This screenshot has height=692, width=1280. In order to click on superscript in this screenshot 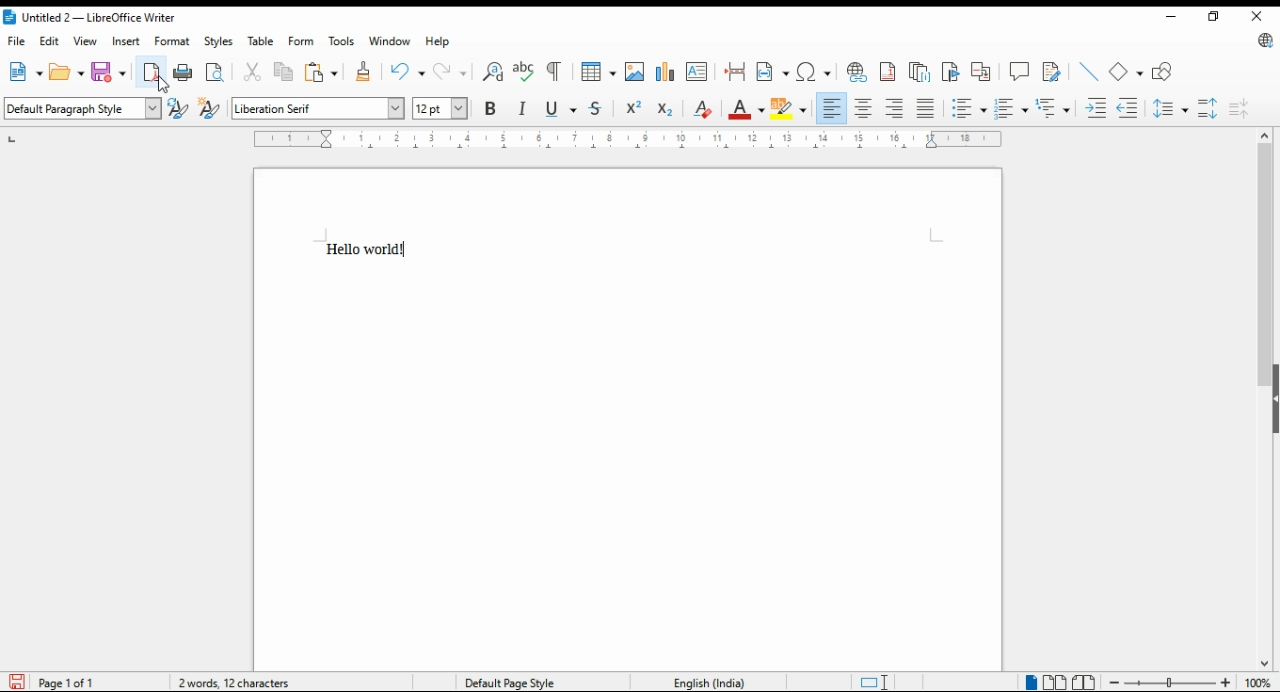, I will do `click(632, 111)`.